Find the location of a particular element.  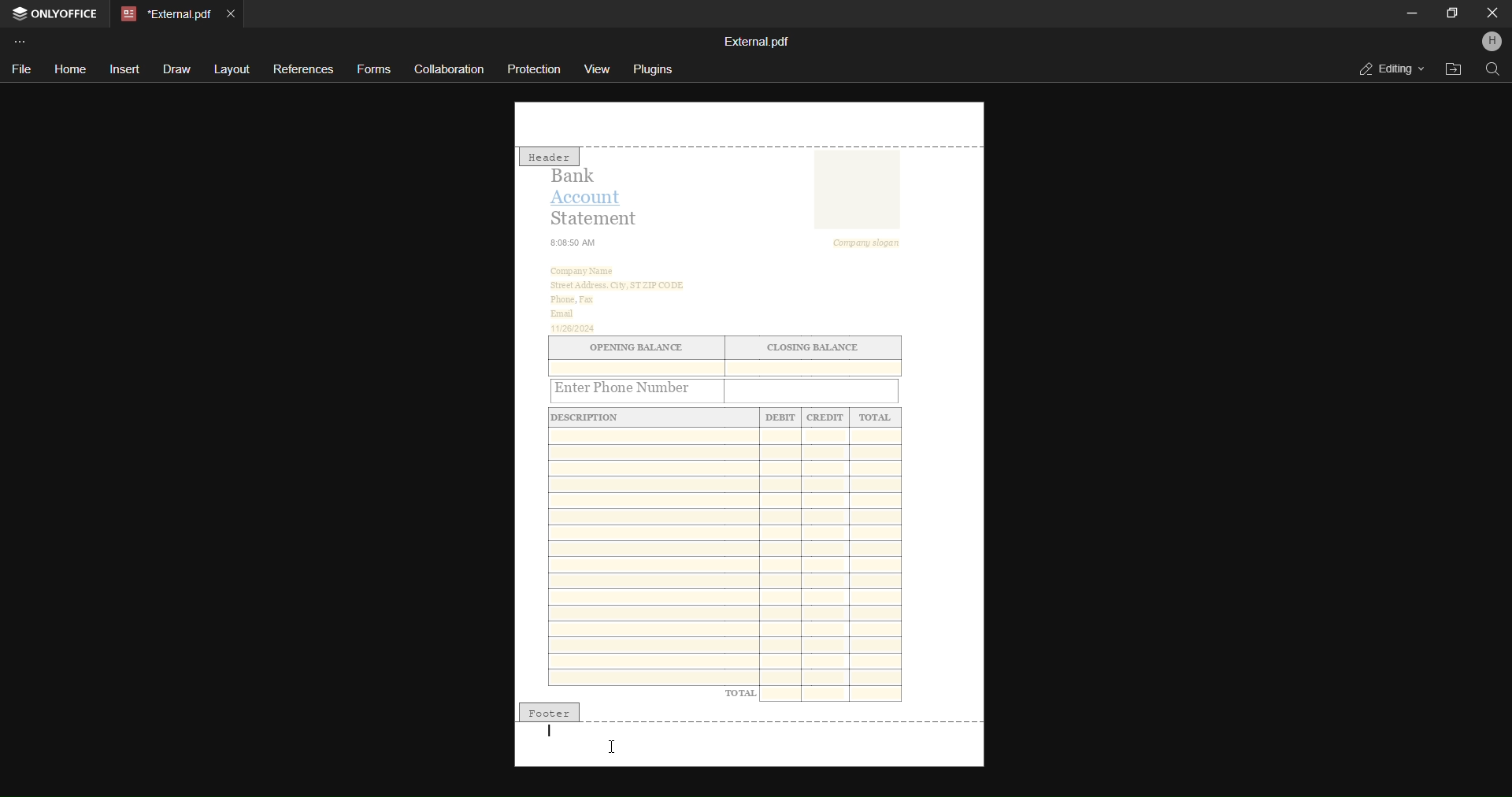

open file location is located at coordinates (1451, 70).